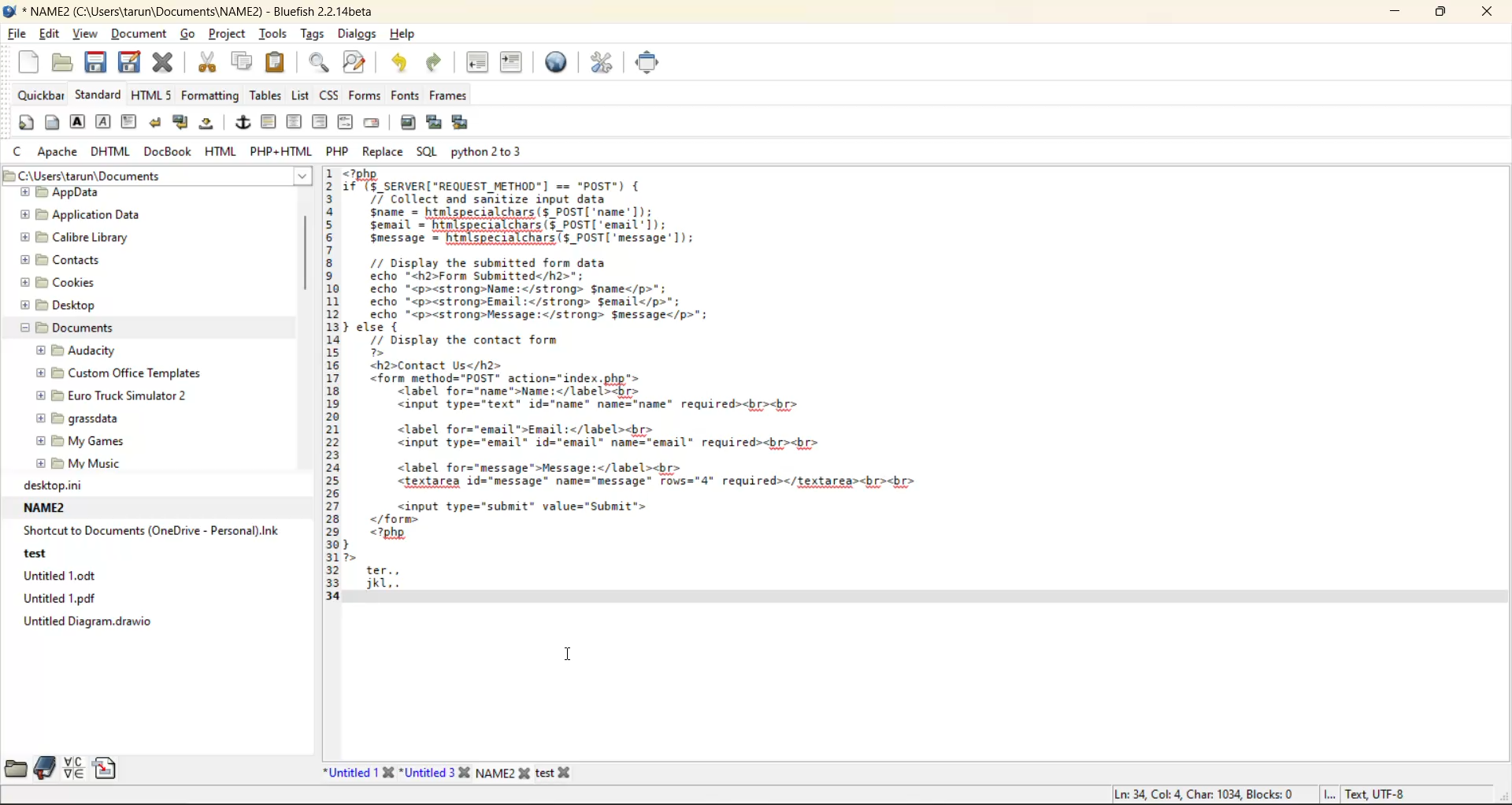  What do you see at coordinates (204, 13) in the screenshot?
I see `file name and app name` at bounding box center [204, 13].